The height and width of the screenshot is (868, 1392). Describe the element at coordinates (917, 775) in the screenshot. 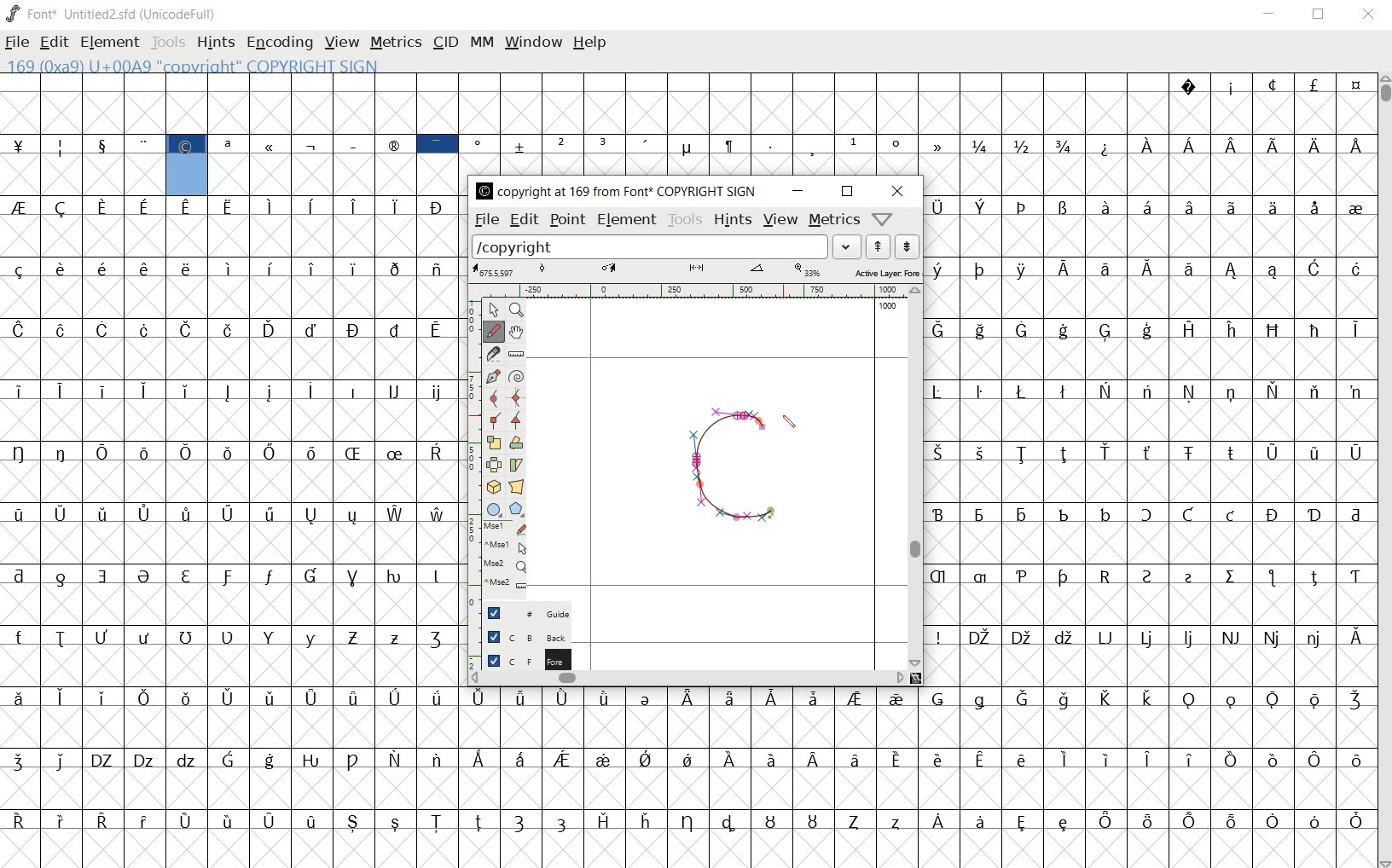

I see `glyph characters` at that location.